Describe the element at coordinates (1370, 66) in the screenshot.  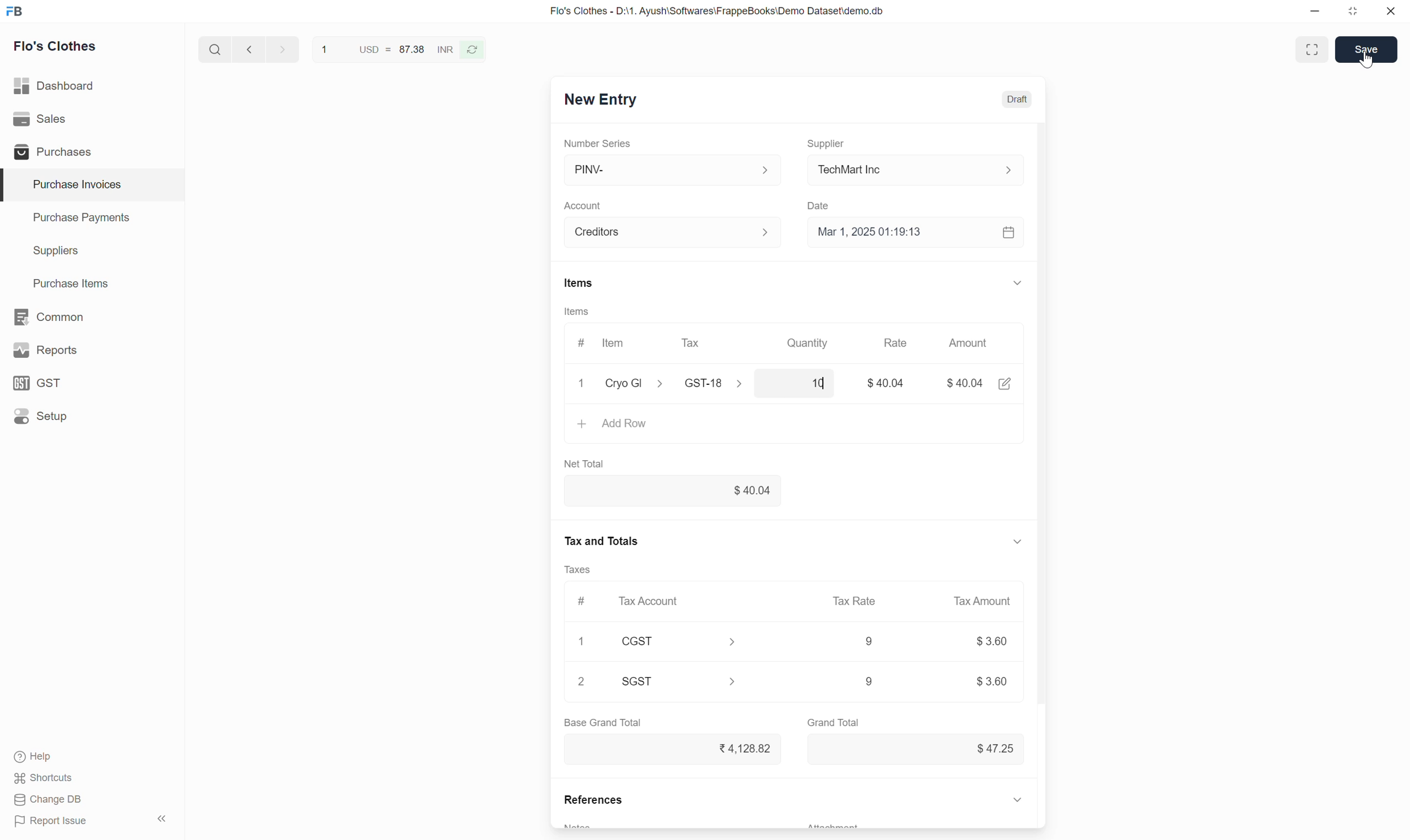
I see `cursor` at that location.